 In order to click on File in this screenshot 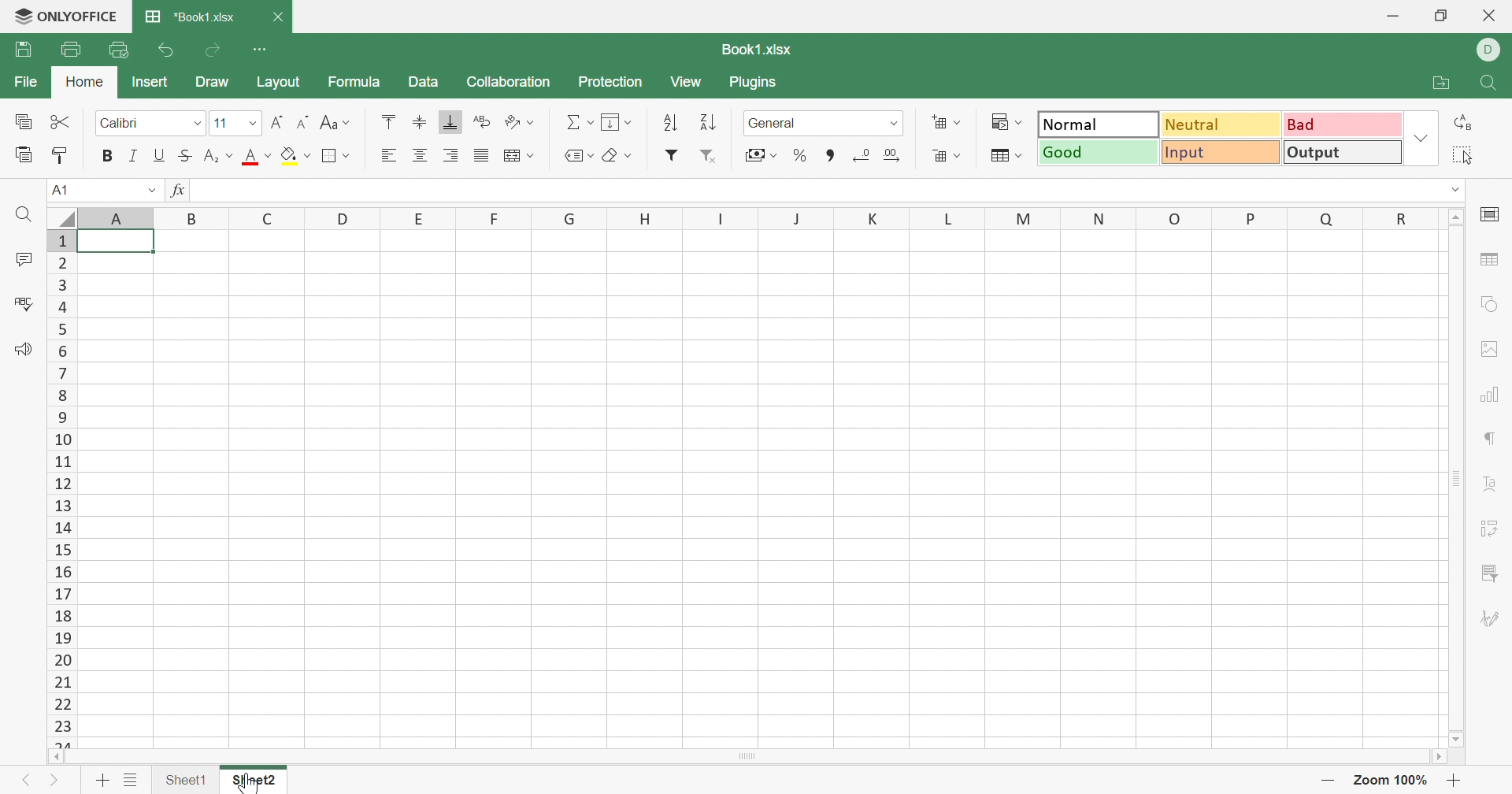, I will do `click(22, 80)`.